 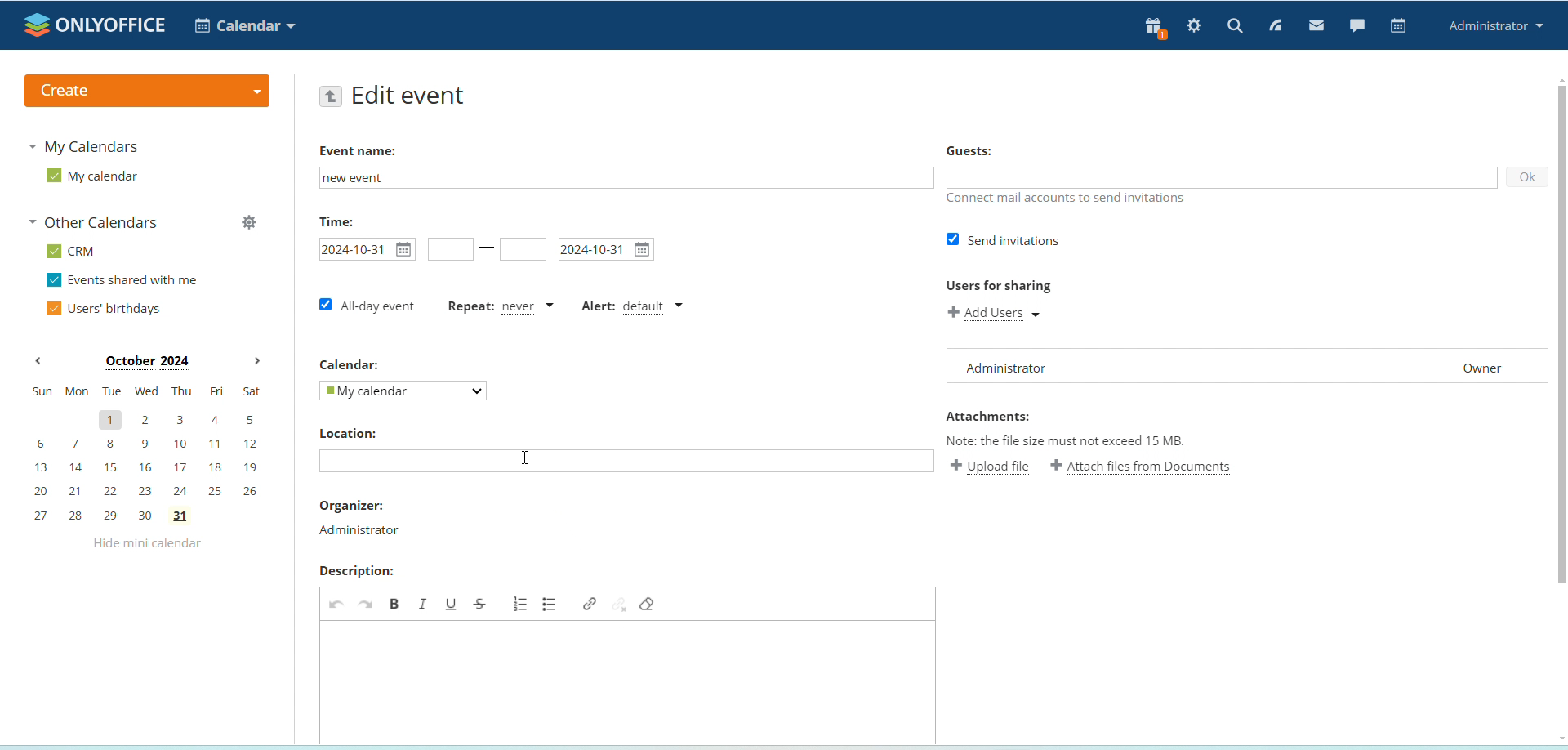 I want to click on upload file, so click(x=991, y=466).